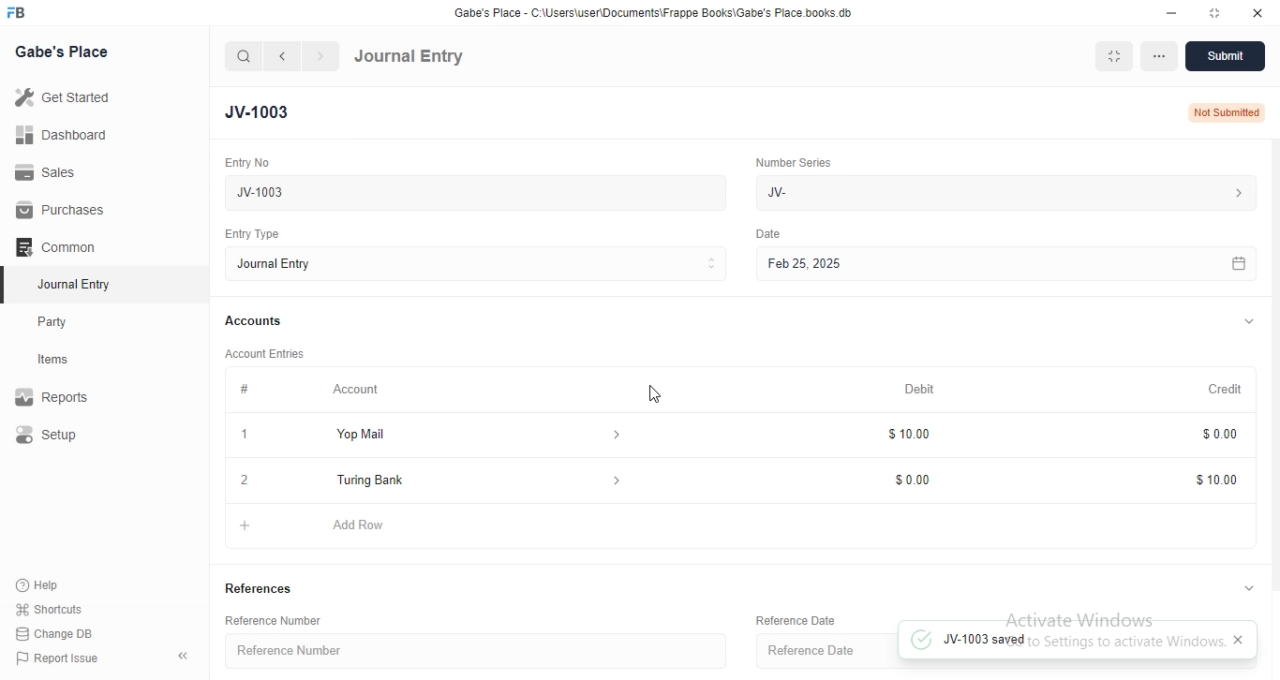 The image size is (1280, 680). Describe the element at coordinates (1226, 111) in the screenshot. I see `Draft` at that location.